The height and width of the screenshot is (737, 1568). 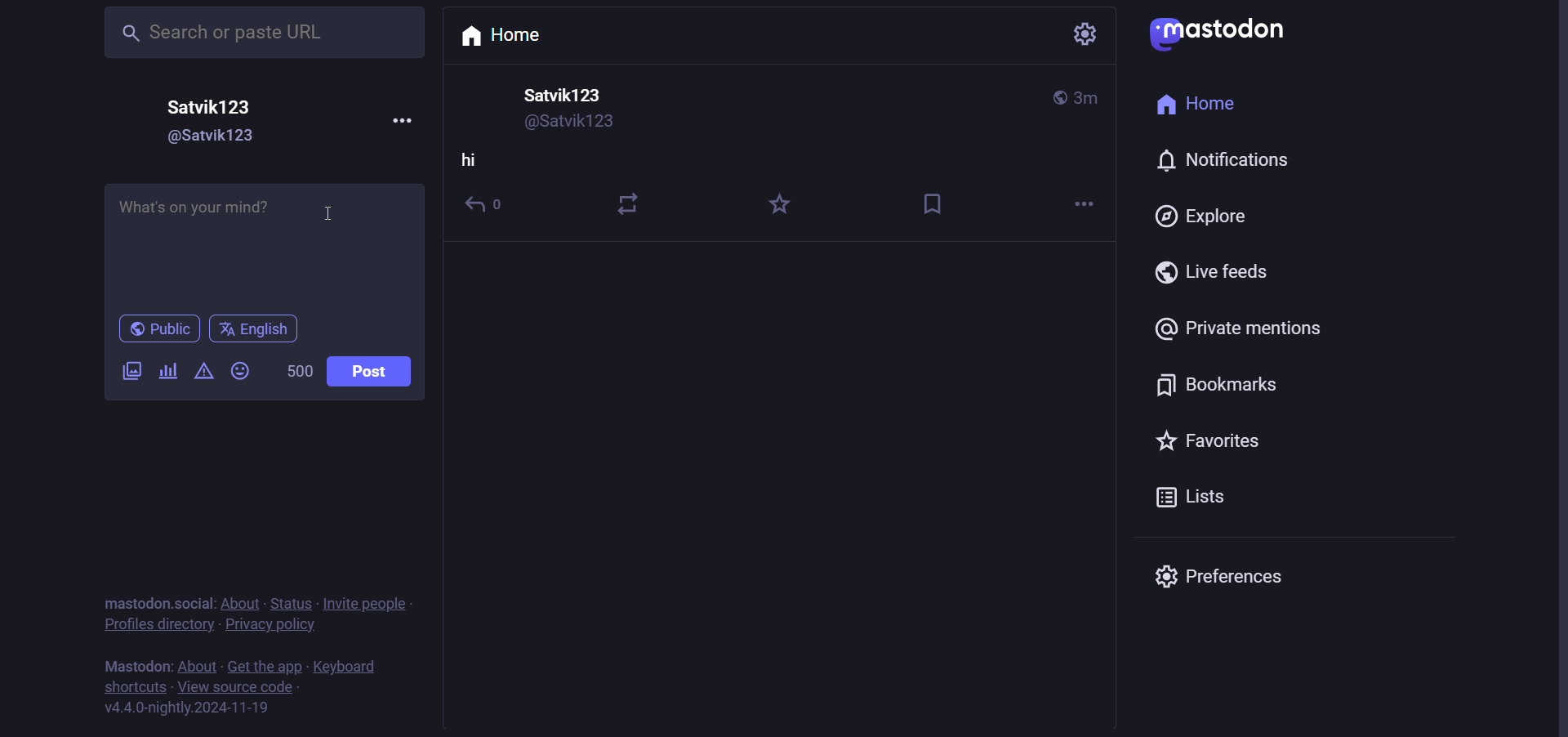 I want to click on last modified, so click(x=1088, y=98).